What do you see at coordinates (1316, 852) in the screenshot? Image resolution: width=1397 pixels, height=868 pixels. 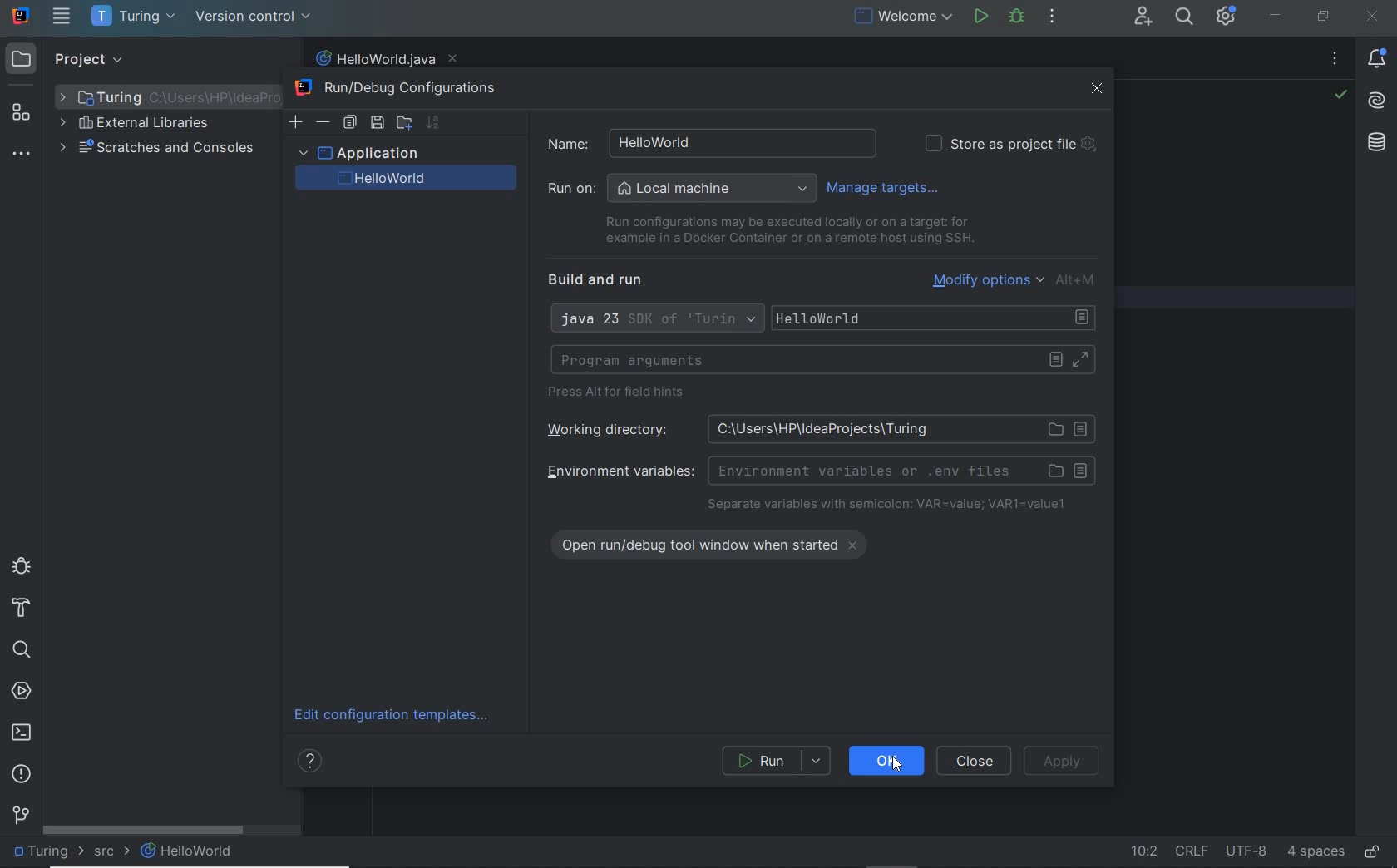 I see `indent` at bounding box center [1316, 852].